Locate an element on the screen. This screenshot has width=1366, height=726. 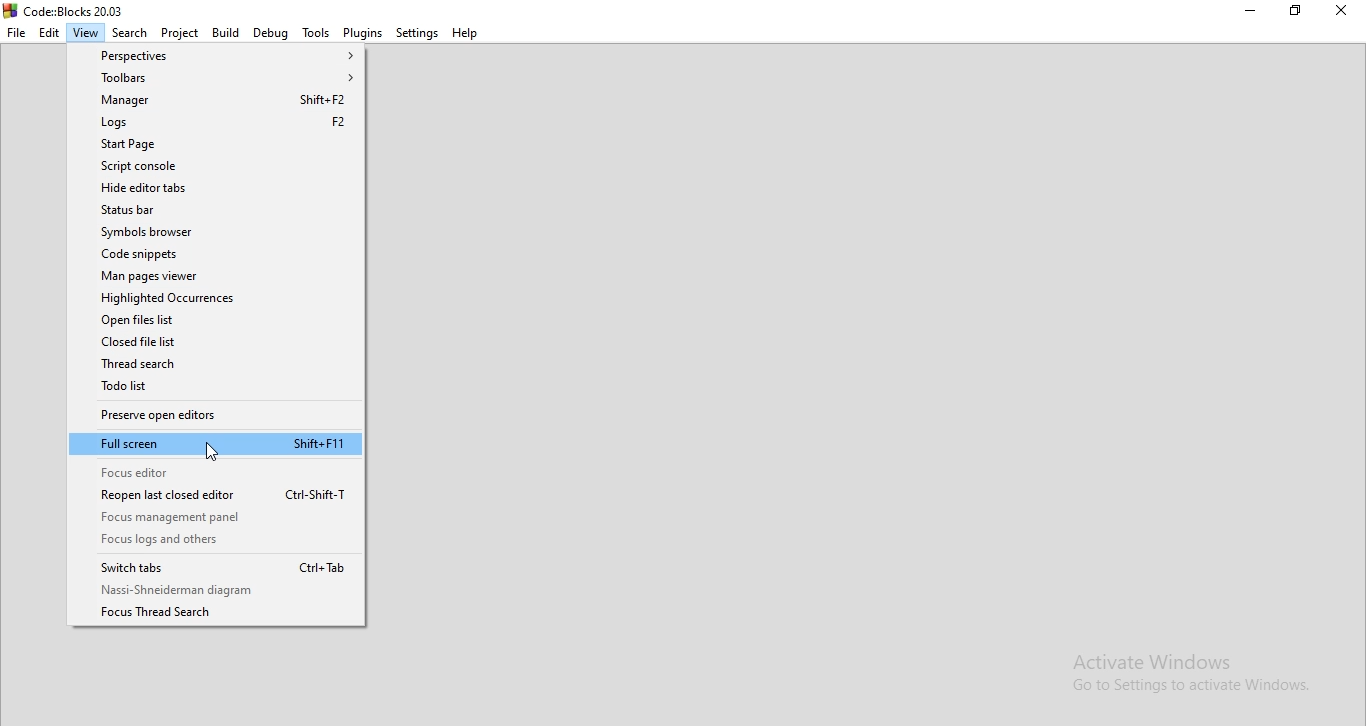
Reopen last closed editor is located at coordinates (217, 495).